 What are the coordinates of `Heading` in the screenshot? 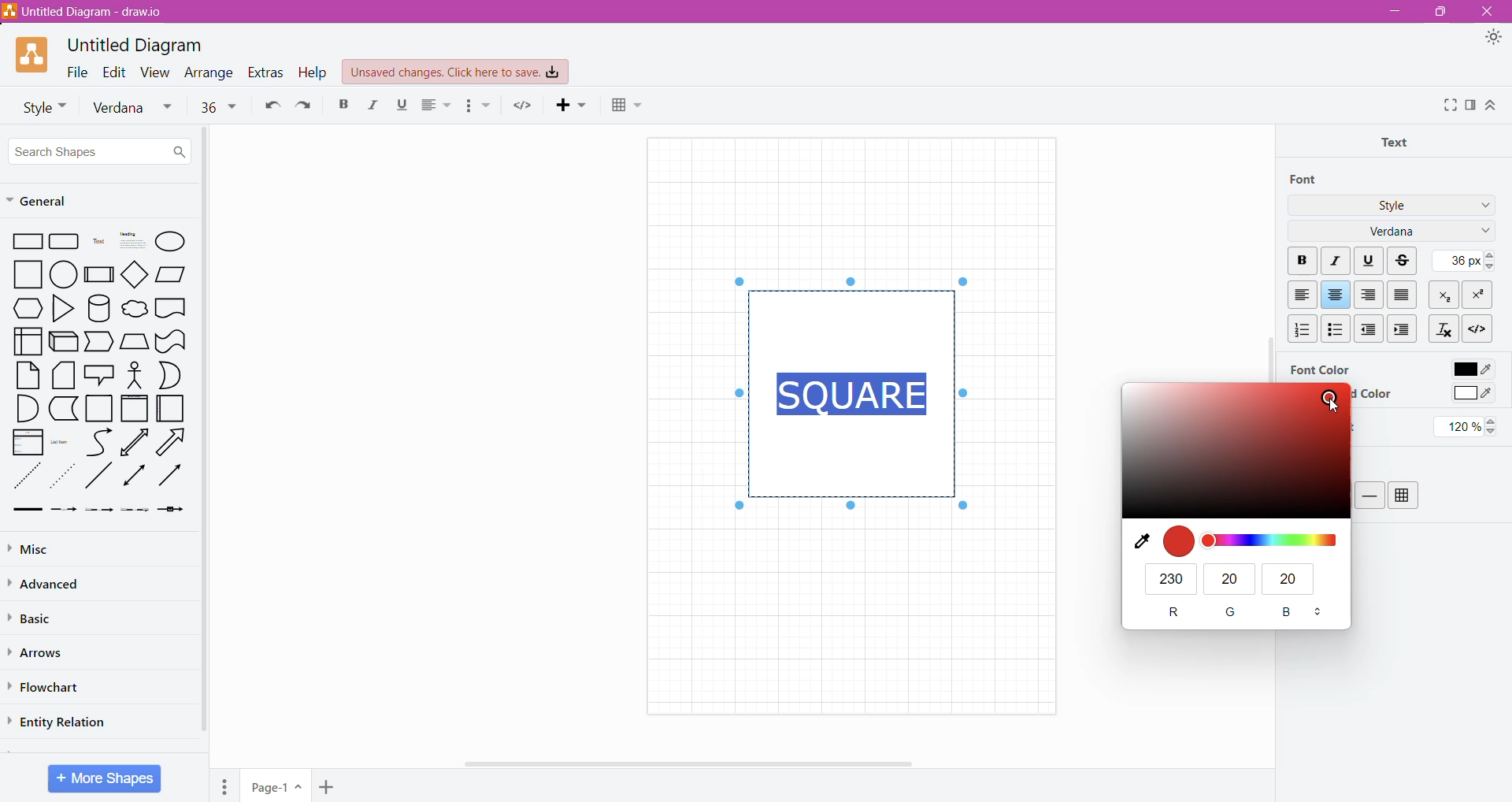 It's located at (132, 240).